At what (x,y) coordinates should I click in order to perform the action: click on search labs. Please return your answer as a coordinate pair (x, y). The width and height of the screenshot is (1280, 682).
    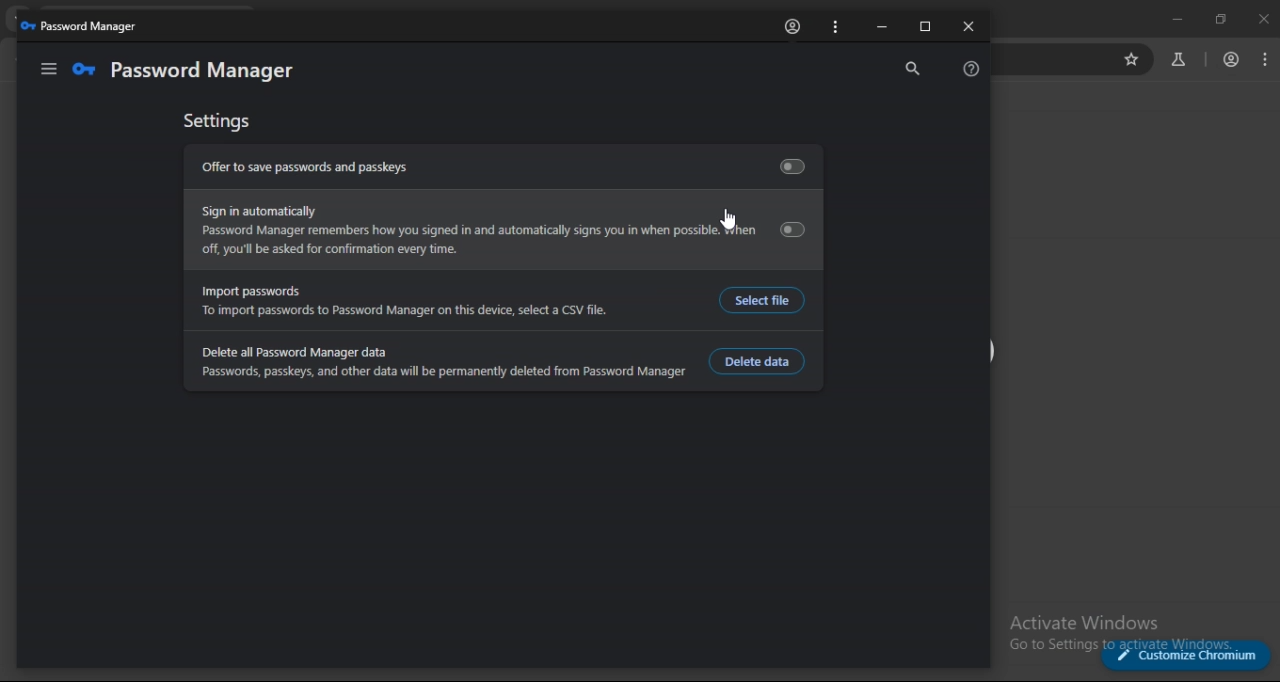
    Looking at the image, I should click on (1178, 59).